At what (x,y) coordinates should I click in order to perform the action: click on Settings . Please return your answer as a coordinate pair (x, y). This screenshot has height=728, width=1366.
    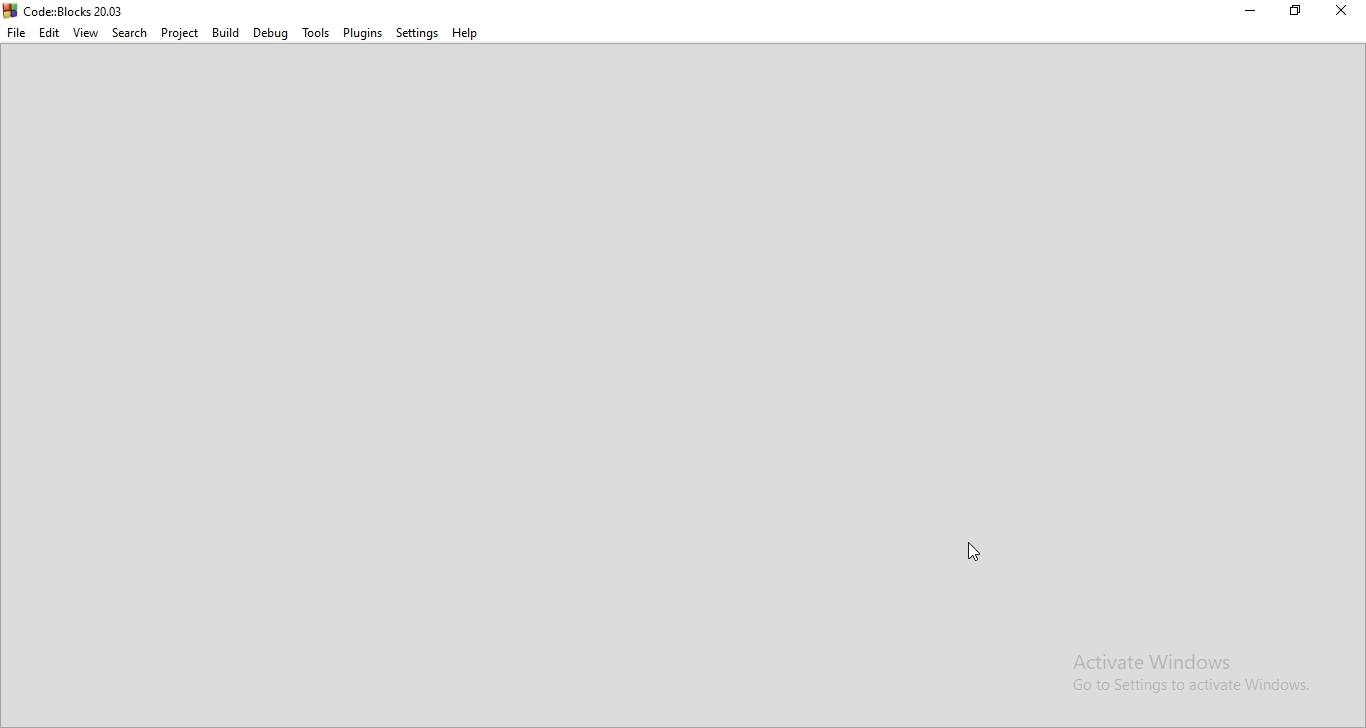
    Looking at the image, I should click on (416, 34).